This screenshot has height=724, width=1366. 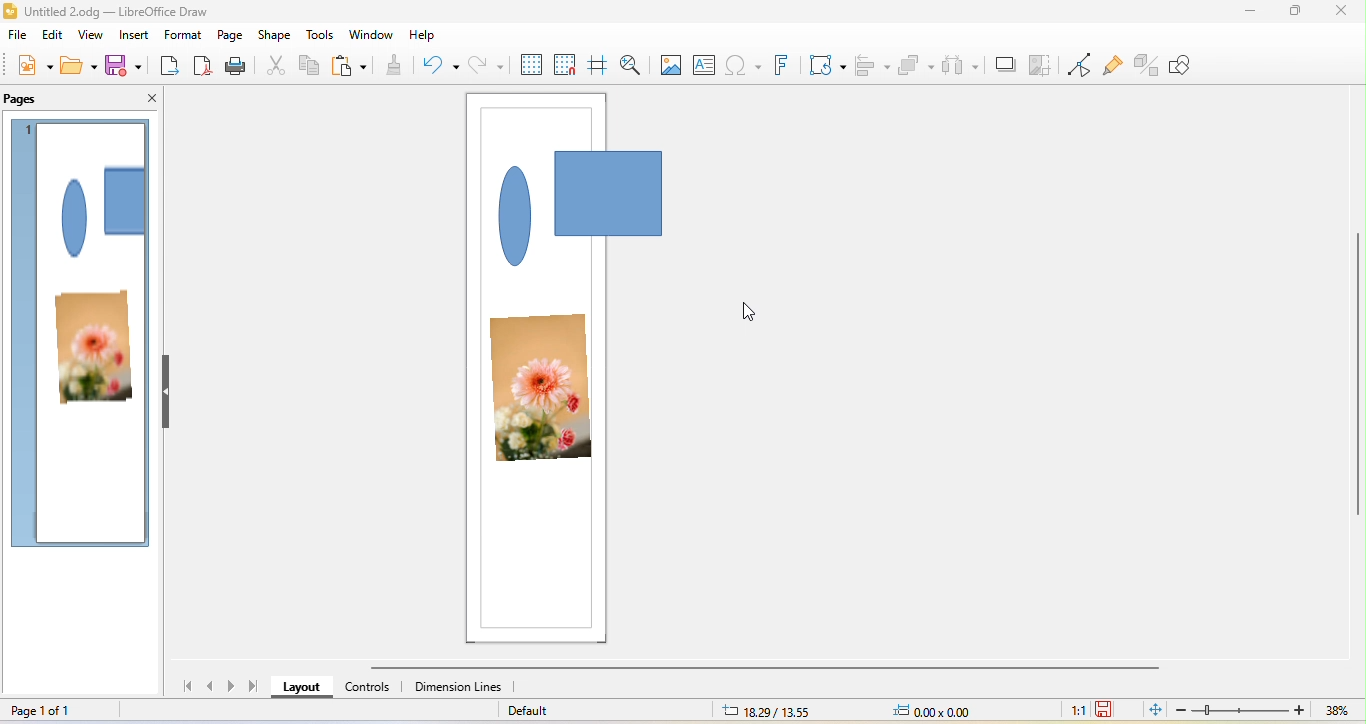 What do you see at coordinates (1114, 63) in the screenshot?
I see `show gluepoint function` at bounding box center [1114, 63].